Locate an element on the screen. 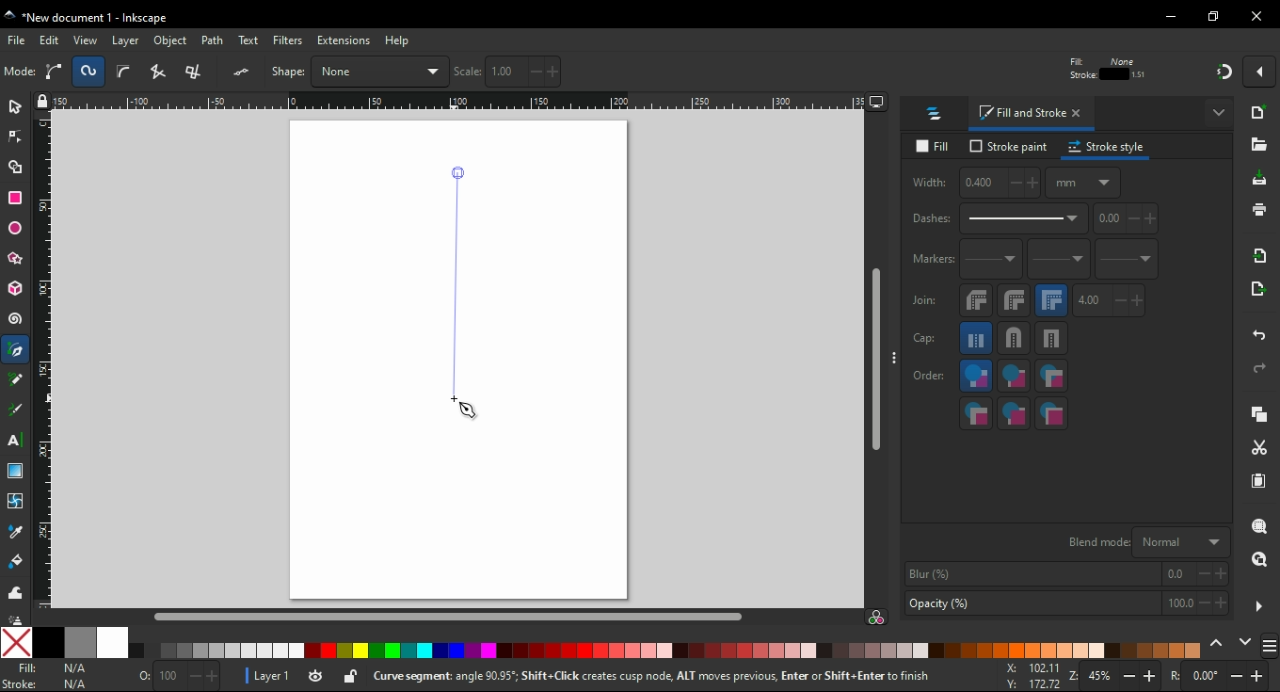 The height and width of the screenshot is (692, 1280). stroke style is located at coordinates (1107, 147).